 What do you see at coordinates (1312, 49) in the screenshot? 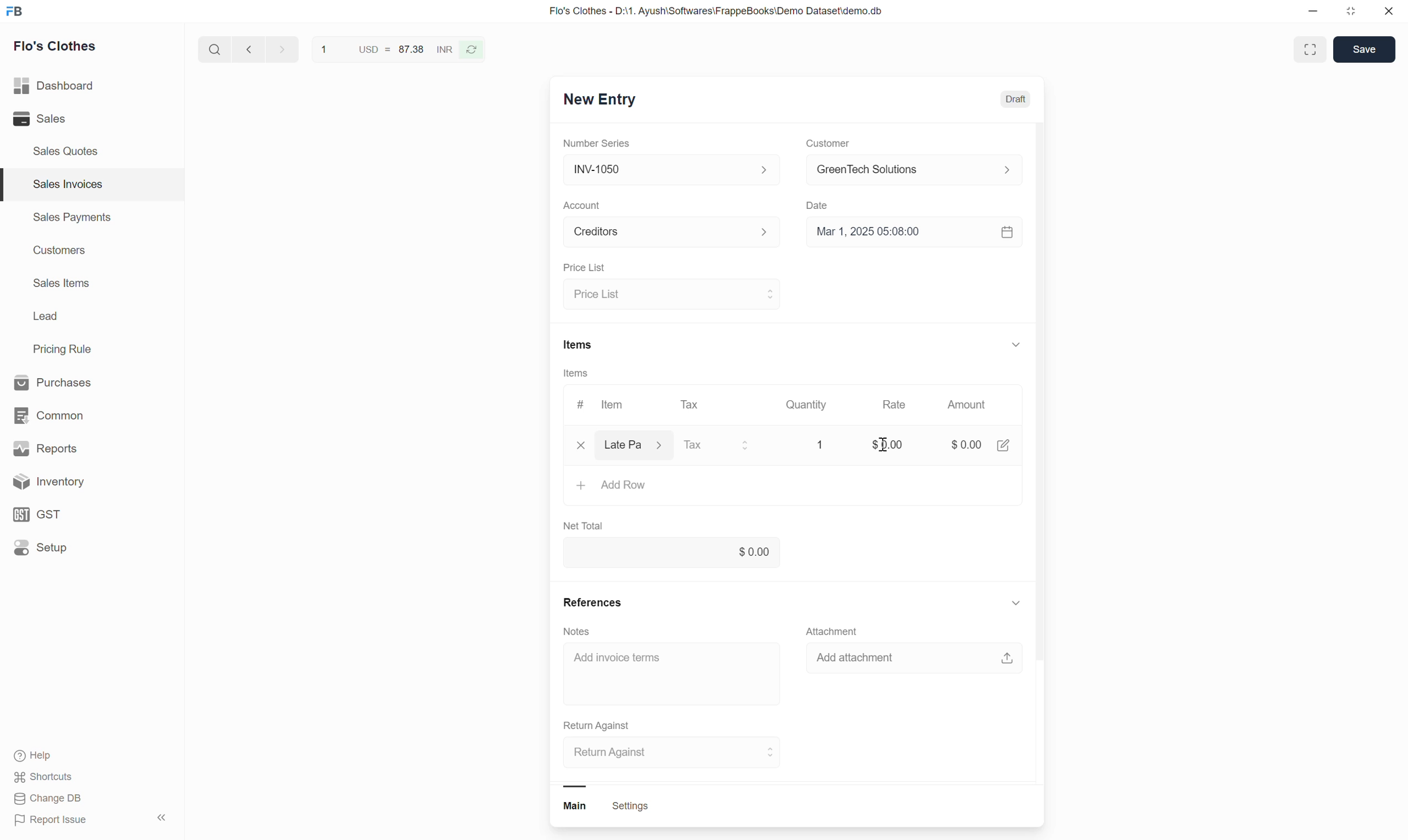
I see `full screen` at bounding box center [1312, 49].